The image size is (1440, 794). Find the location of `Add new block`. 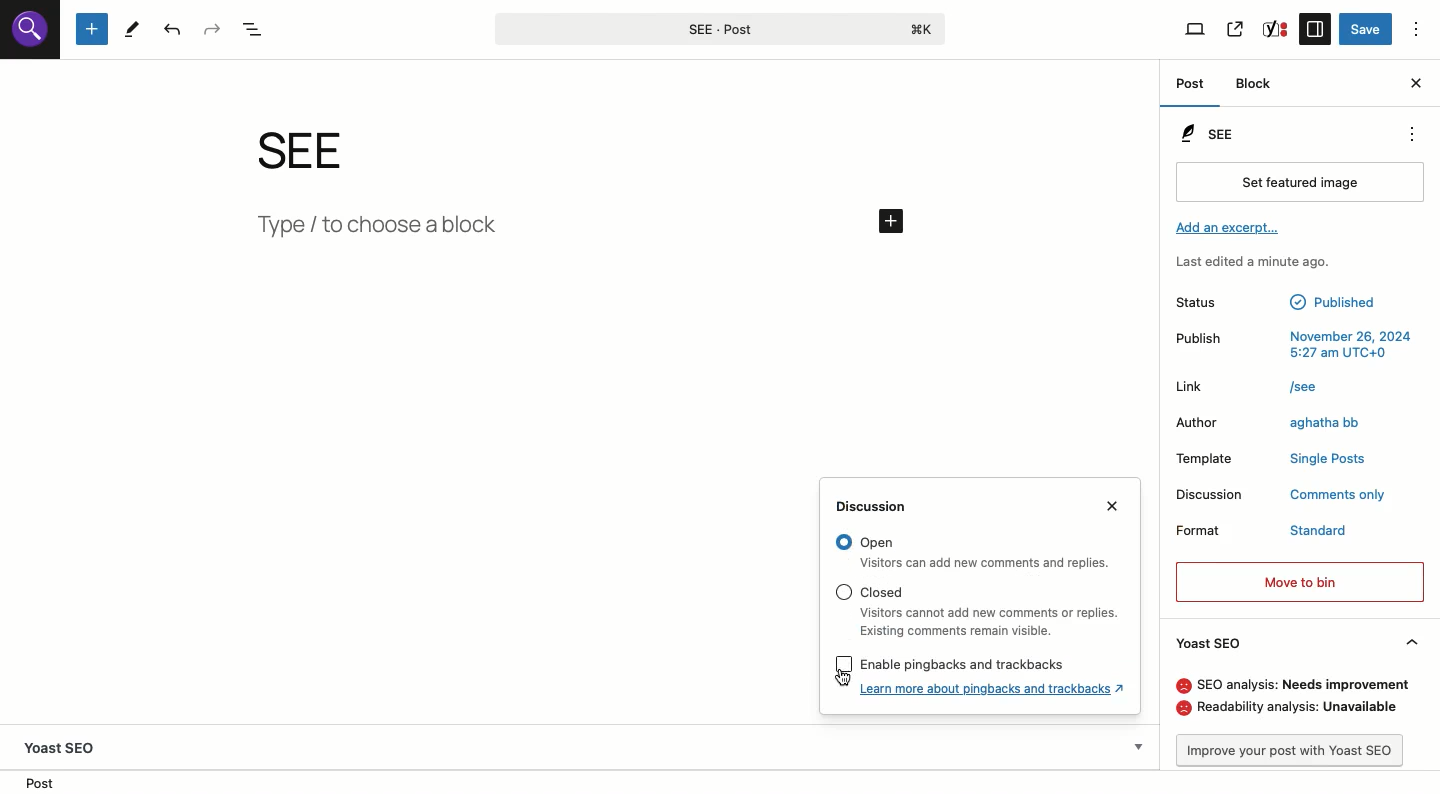

Add new block is located at coordinates (90, 29).